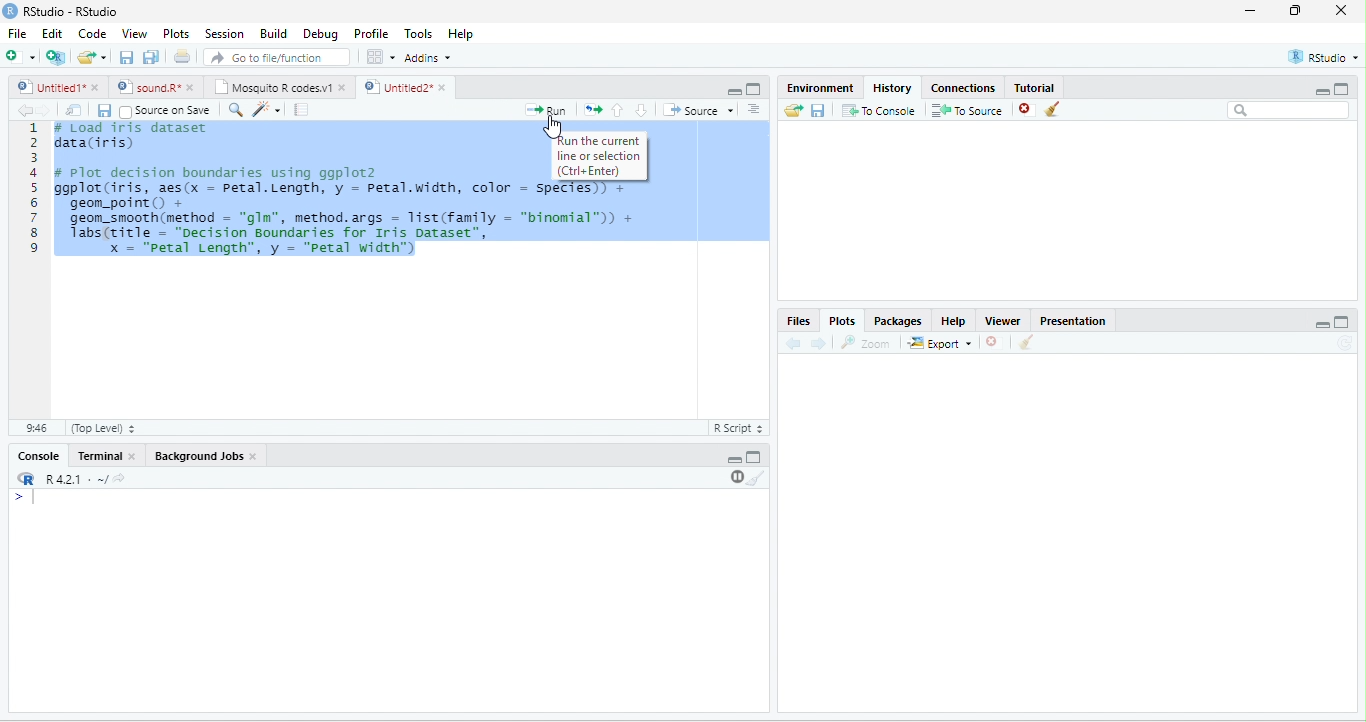  What do you see at coordinates (92, 33) in the screenshot?
I see `Code` at bounding box center [92, 33].